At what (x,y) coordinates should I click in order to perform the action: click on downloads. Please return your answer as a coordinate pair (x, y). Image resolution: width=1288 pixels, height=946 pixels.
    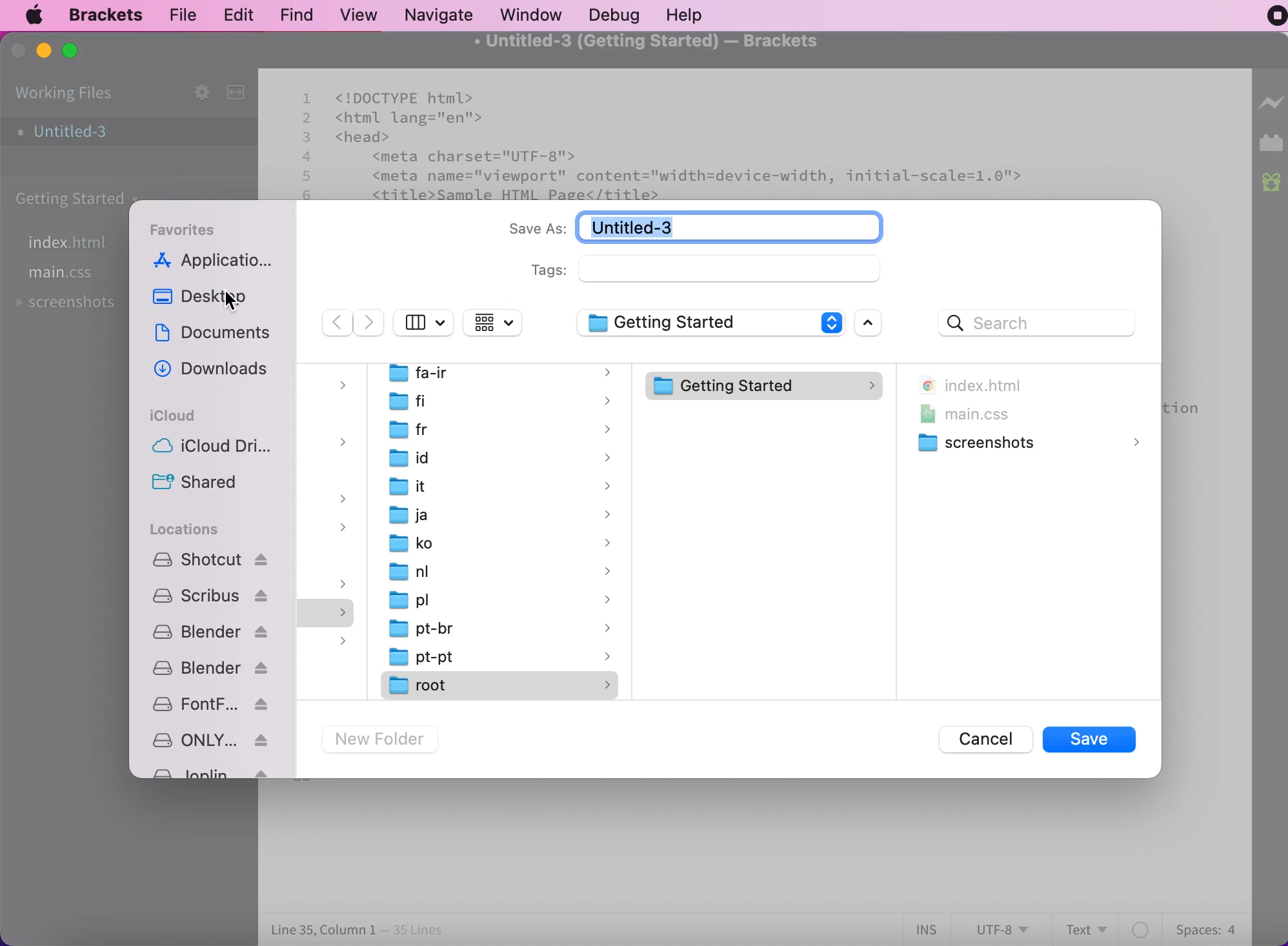
    Looking at the image, I should click on (219, 373).